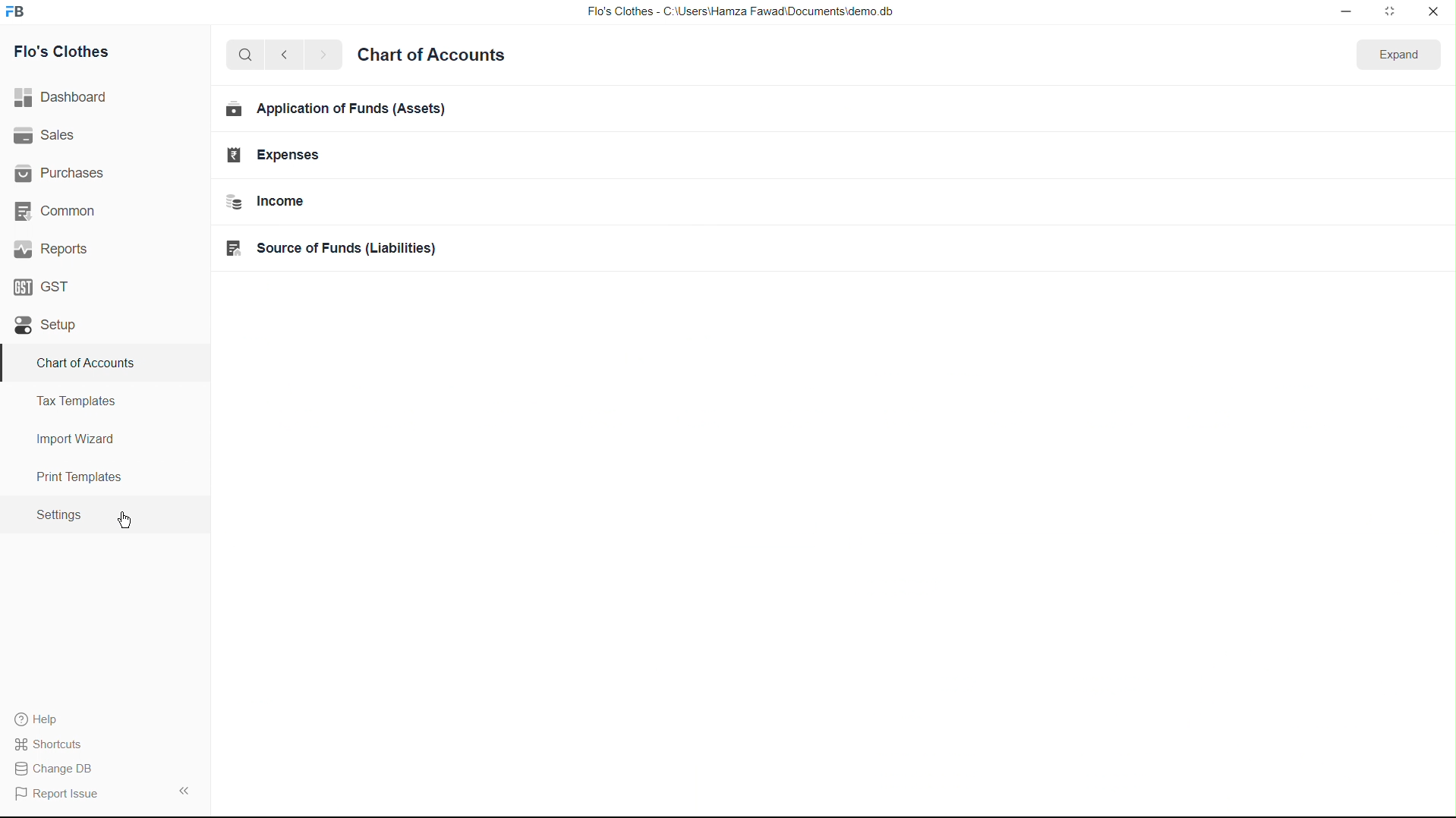 The height and width of the screenshot is (818, 1456). Describe the element at coordinates (1391, 13) in the screenshot. I see `Full screen` at that location.